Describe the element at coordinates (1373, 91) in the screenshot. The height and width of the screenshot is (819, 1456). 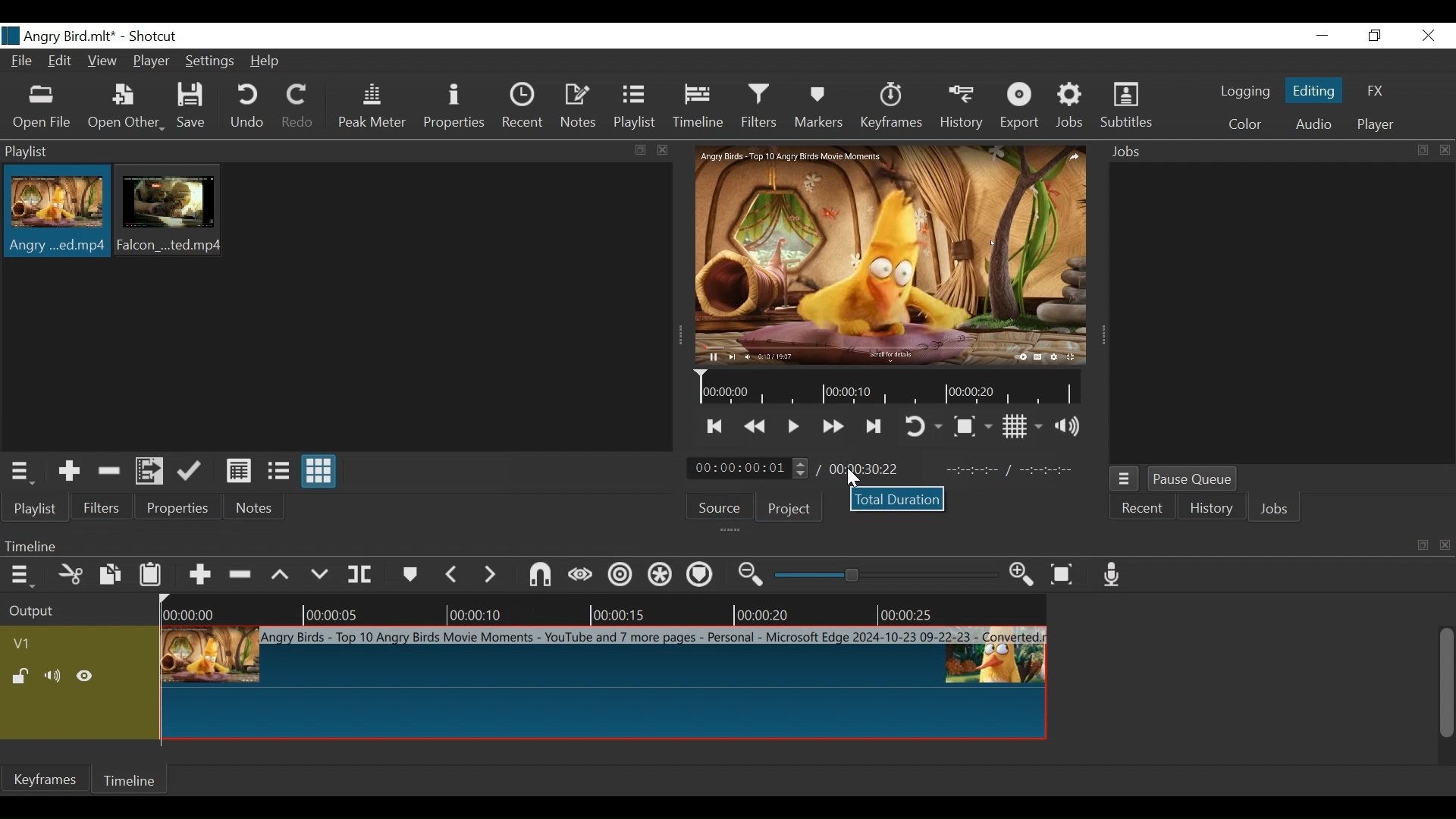
I see `FX` at that location.